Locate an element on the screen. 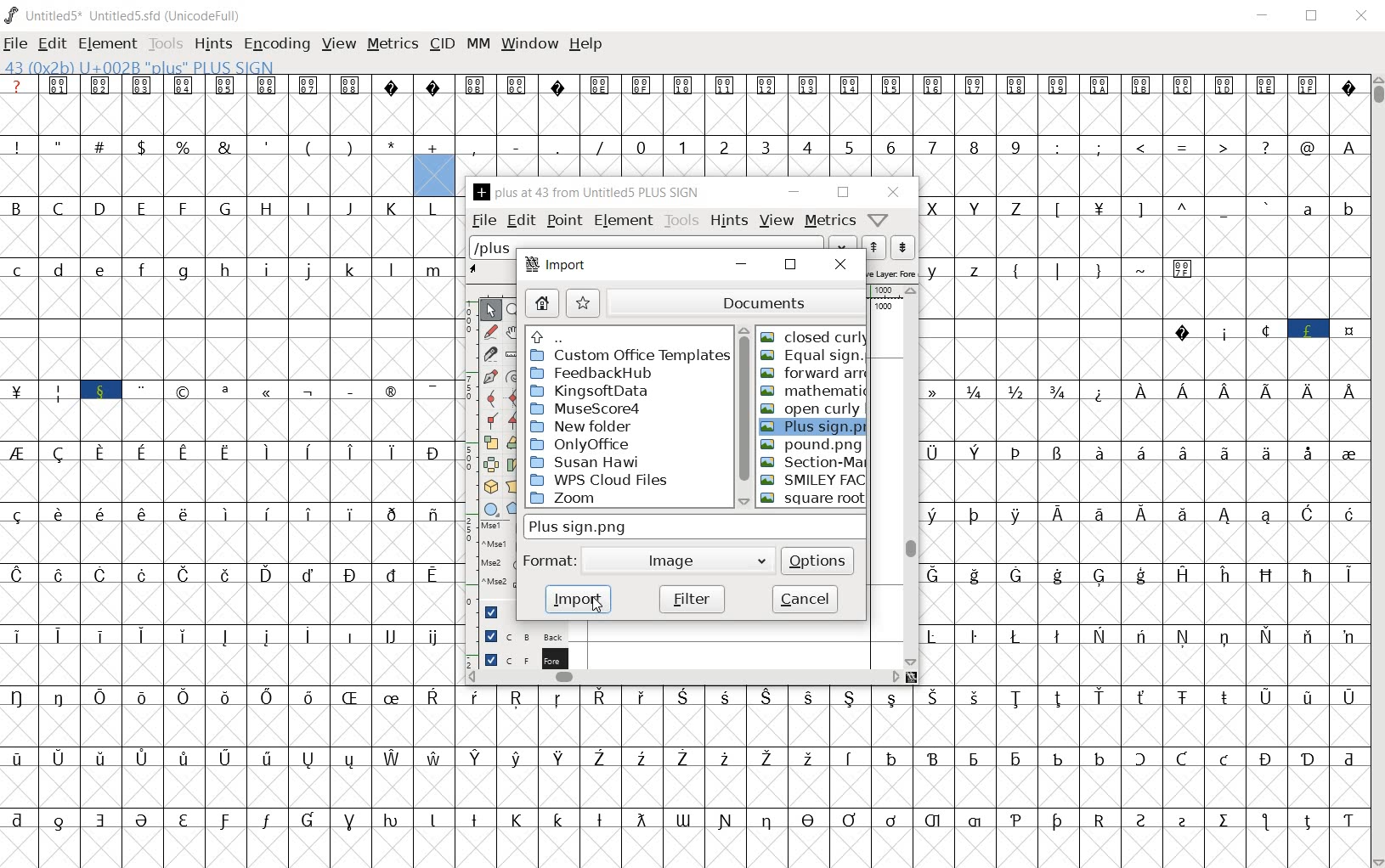 This screenshot has width=1385, height=868. T is located at coordinates (1100, 228).